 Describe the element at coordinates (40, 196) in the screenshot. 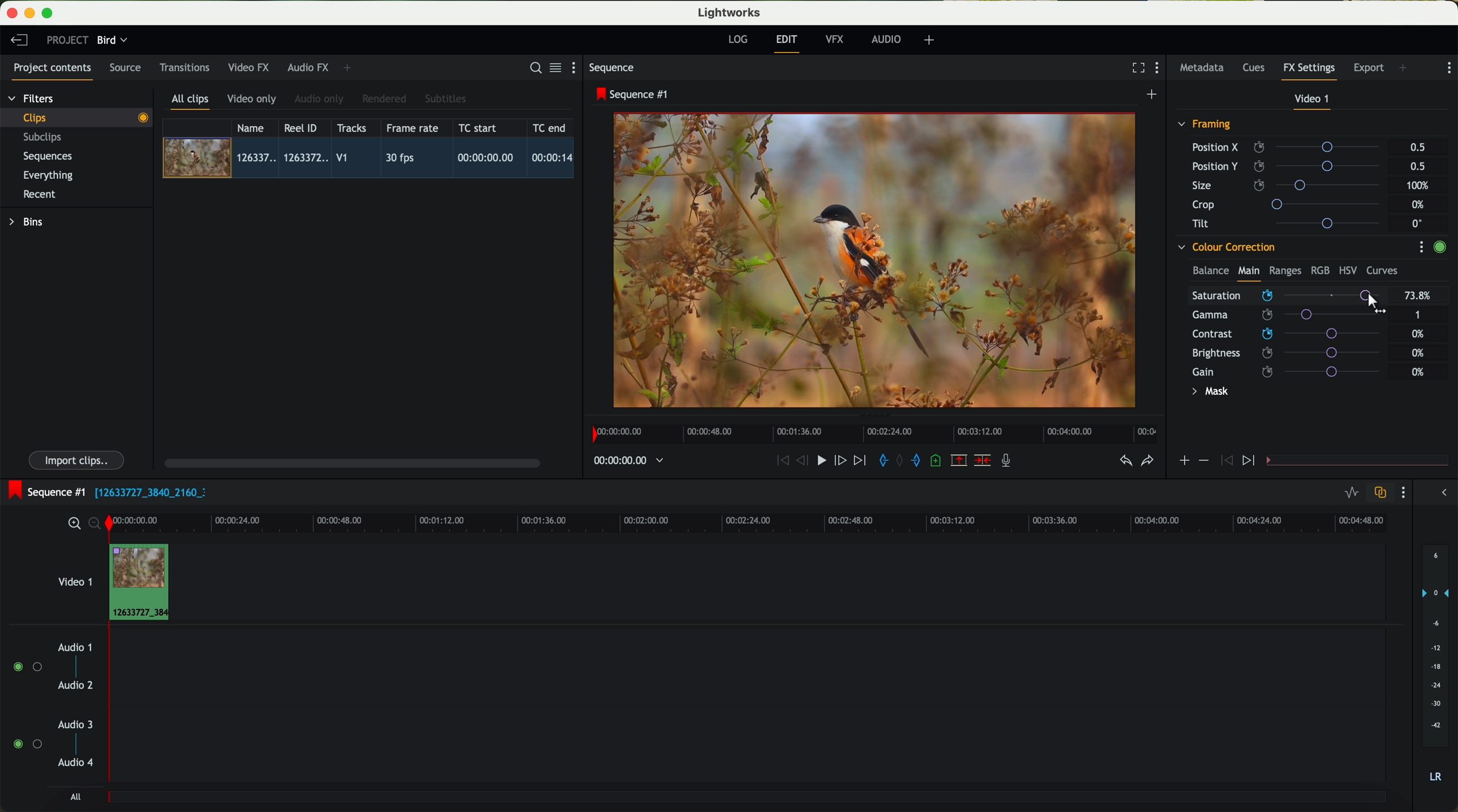

I see `recent` at that location.